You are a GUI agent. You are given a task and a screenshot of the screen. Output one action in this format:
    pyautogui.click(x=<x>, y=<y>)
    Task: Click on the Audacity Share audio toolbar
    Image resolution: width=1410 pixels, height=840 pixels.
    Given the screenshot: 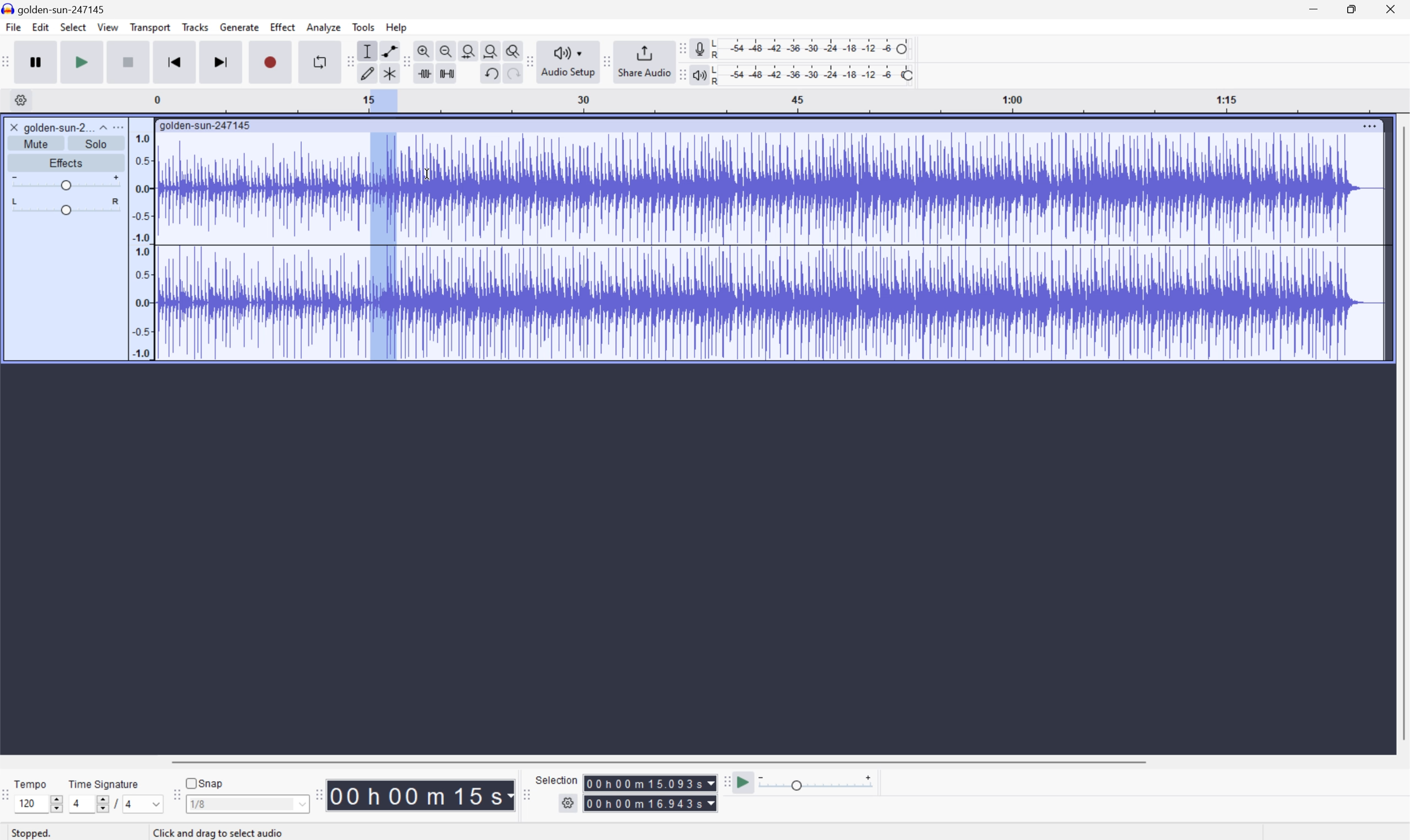 What is the action you would take?
    pyautogui.click(x=607, y=60)
    